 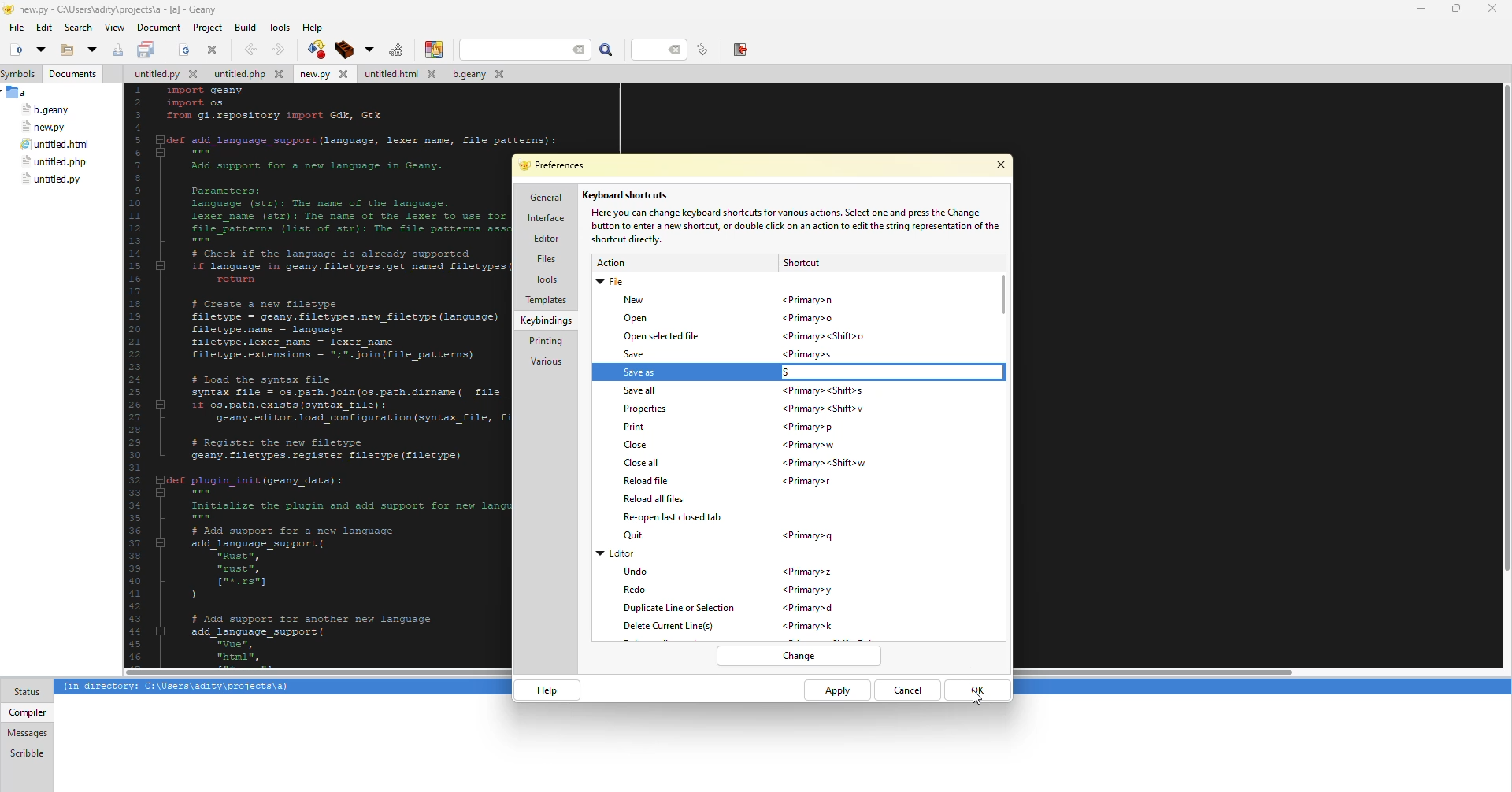 What do you see at coordinates (431, 50) in the screenshot?
I see `color` at bounding box center [431, 50].